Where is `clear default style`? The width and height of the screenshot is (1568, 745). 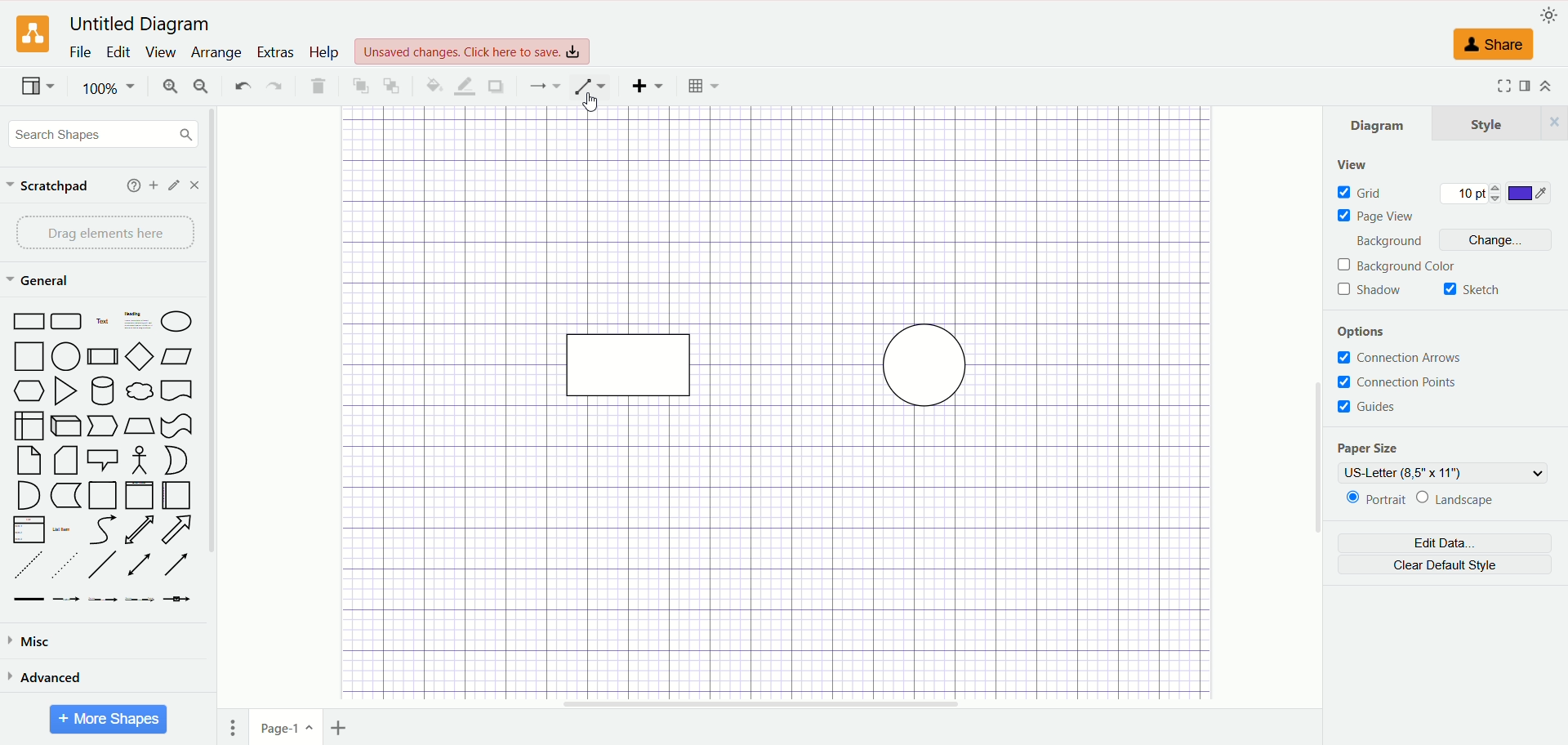 clear default style is located at coordinates (1445, 565).